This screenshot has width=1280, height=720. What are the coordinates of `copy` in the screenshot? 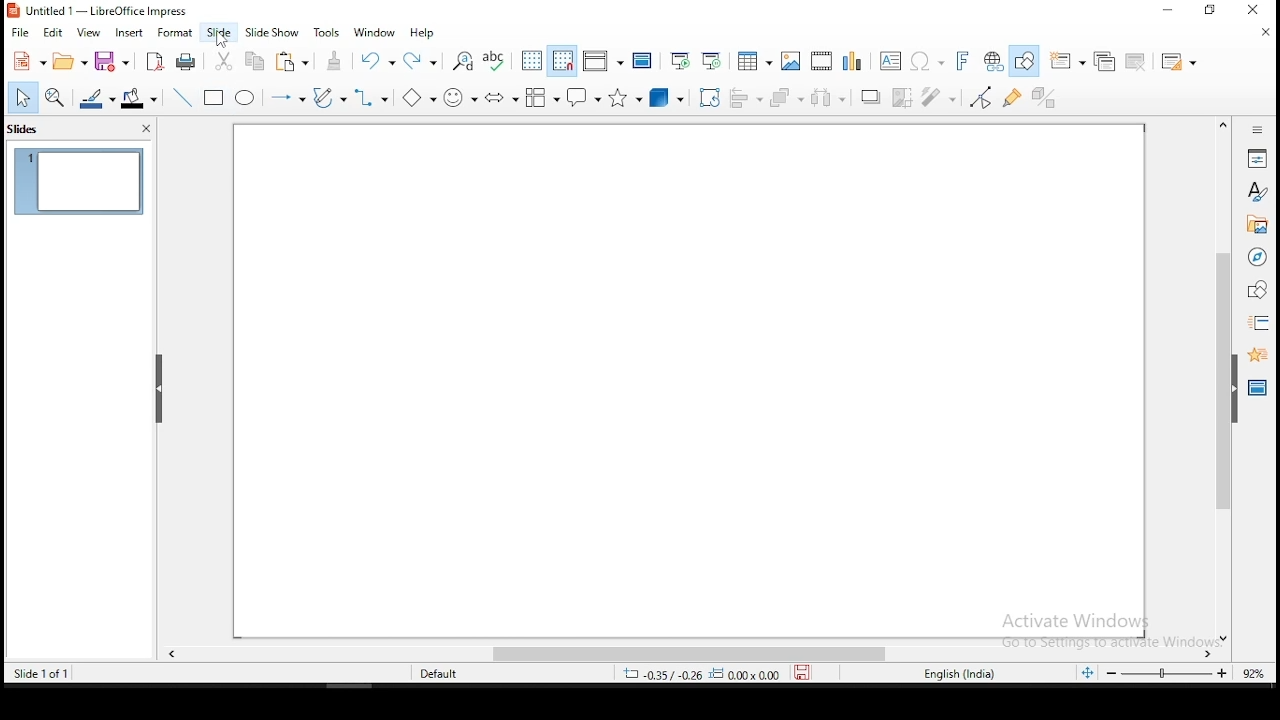 It's located at (259, 64).